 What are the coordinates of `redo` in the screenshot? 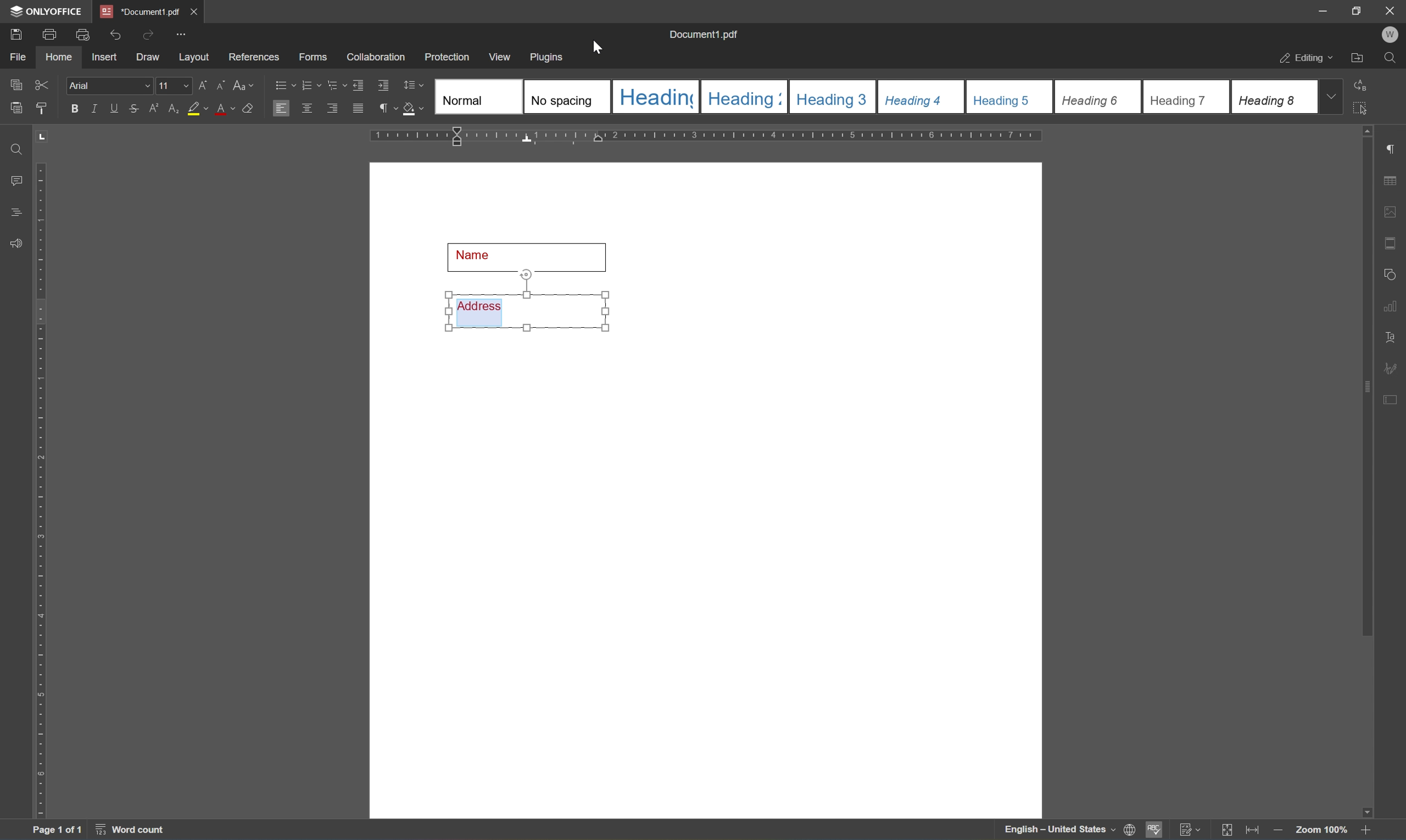 It's located at (145, 34).